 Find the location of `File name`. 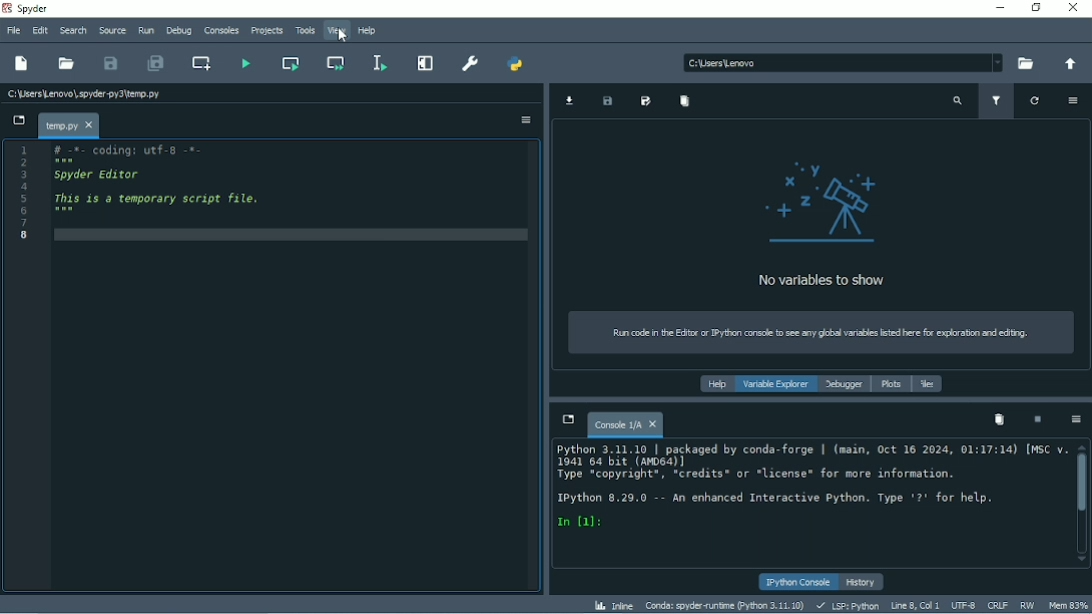

File name is located at coordinates (67, 125).